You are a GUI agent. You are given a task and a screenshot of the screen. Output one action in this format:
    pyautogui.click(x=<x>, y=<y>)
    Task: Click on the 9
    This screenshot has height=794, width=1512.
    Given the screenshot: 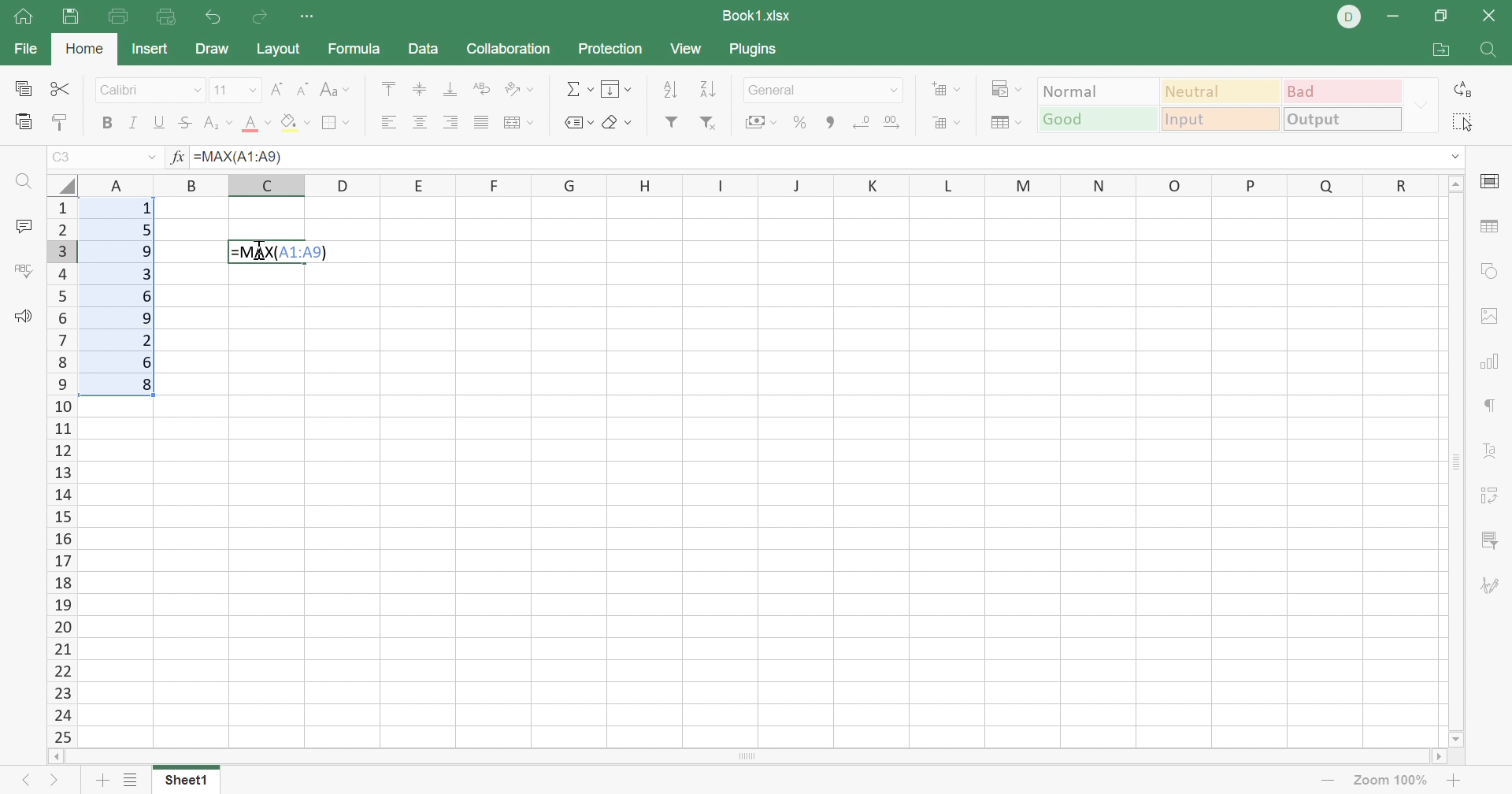 What is the action you would take?
    pyautogui.click(x=150, y=317)
    